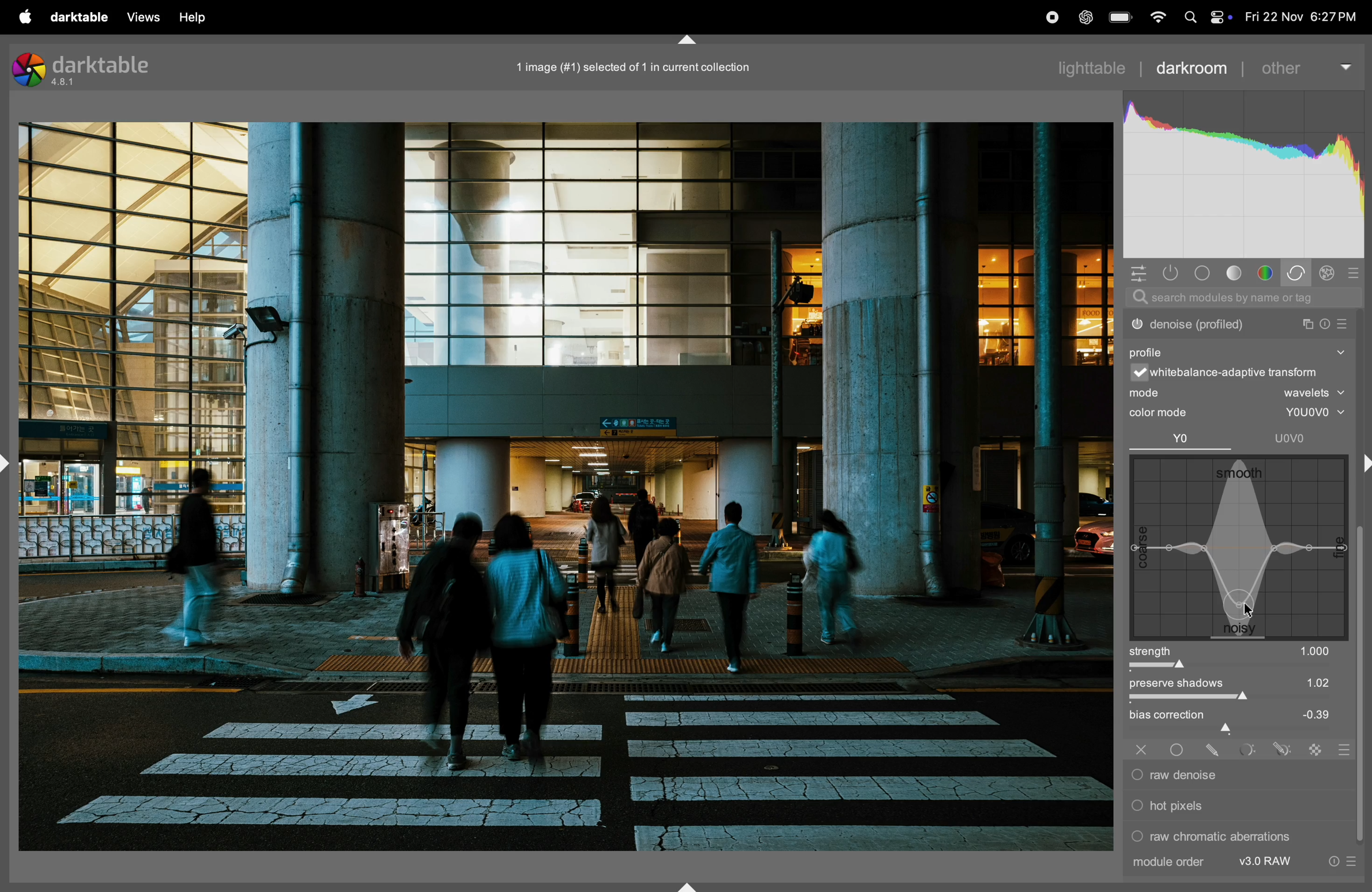 The image size is (1372, 892). What do you see at coordinates (1237, 689) in the screenshot?
I see `preserve shadows` at bounding box center [1237, 689].